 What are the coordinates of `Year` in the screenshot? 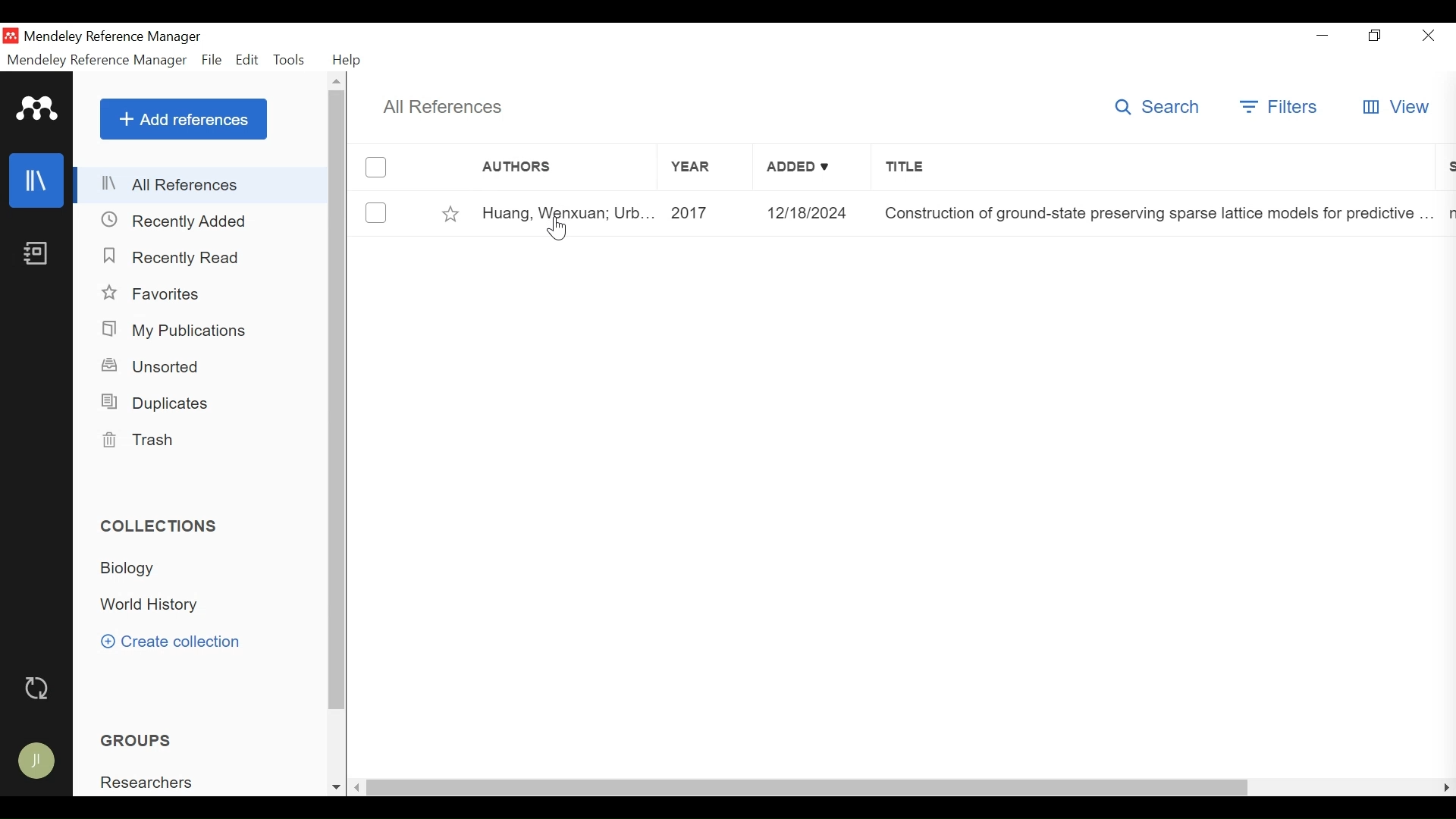 It's located at (707, 168).